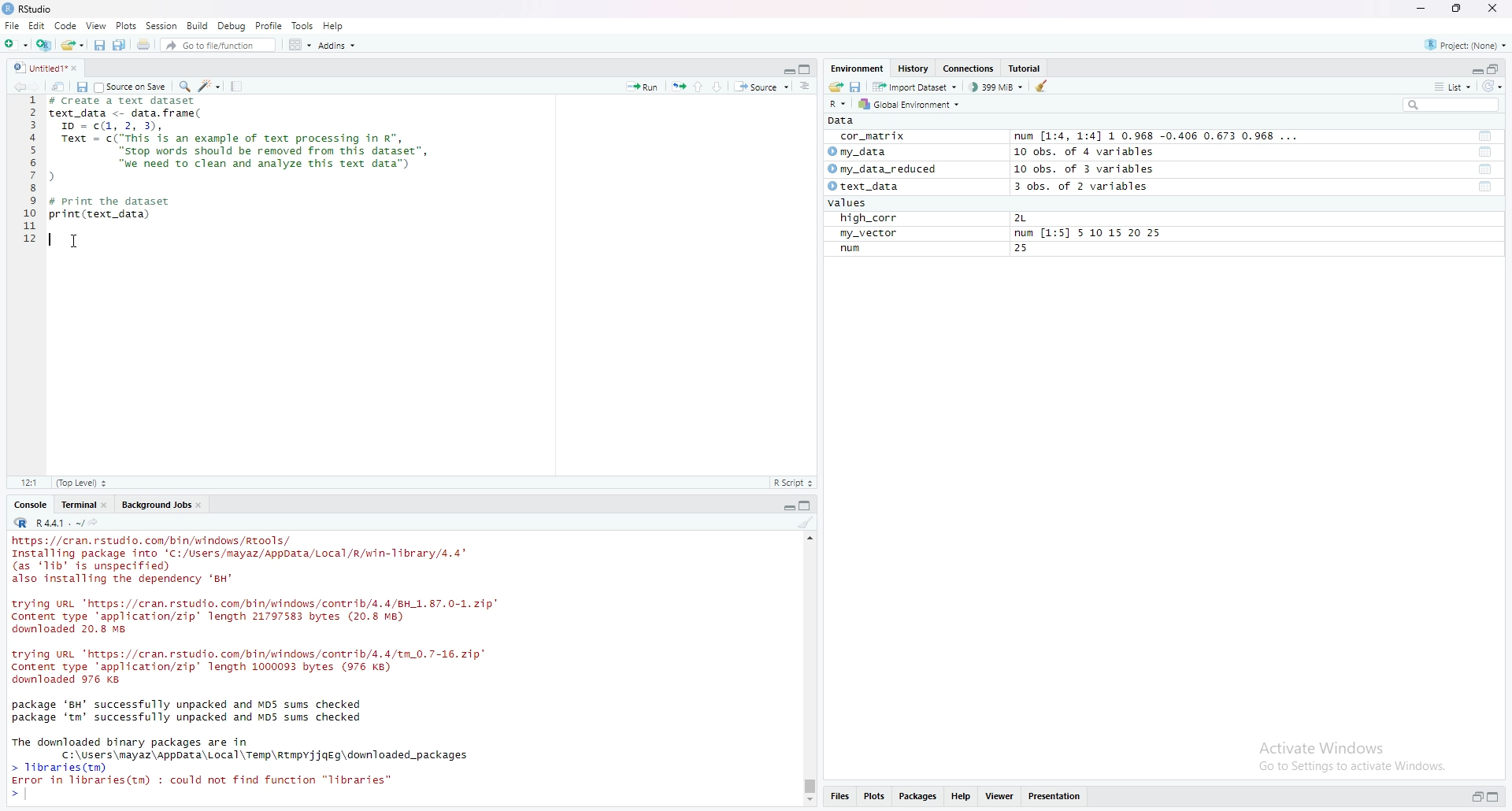  What do you see at coordinates (1484, 169) in the screenshot?
I see `functions ` at bounding box center [1484, 169].